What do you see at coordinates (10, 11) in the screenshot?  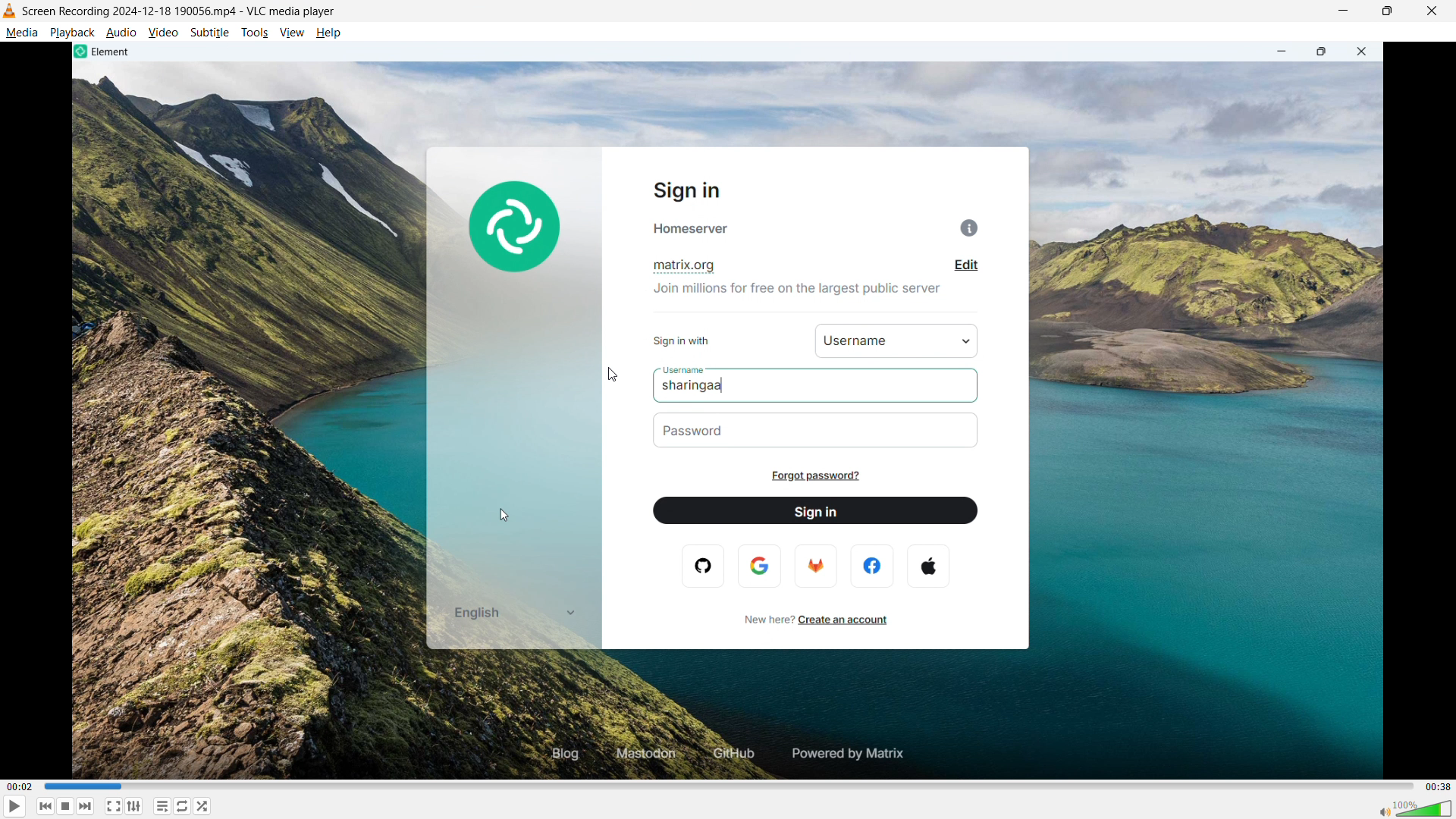 I see `Logo ` at bounding box center [10, 11].